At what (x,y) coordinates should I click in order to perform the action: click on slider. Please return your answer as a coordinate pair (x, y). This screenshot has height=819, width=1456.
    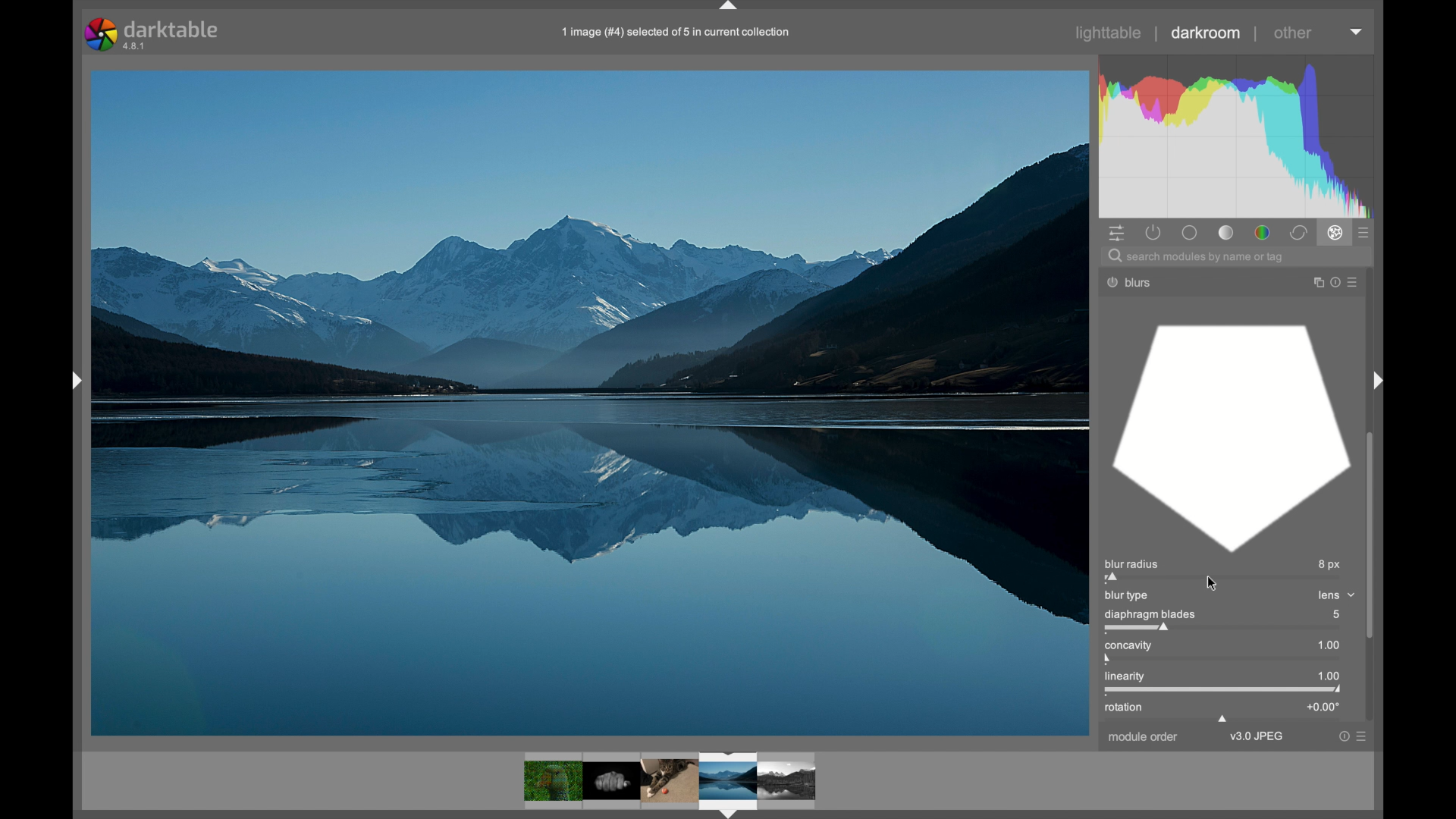
    Looking at the image, I should click on (1225, 691).